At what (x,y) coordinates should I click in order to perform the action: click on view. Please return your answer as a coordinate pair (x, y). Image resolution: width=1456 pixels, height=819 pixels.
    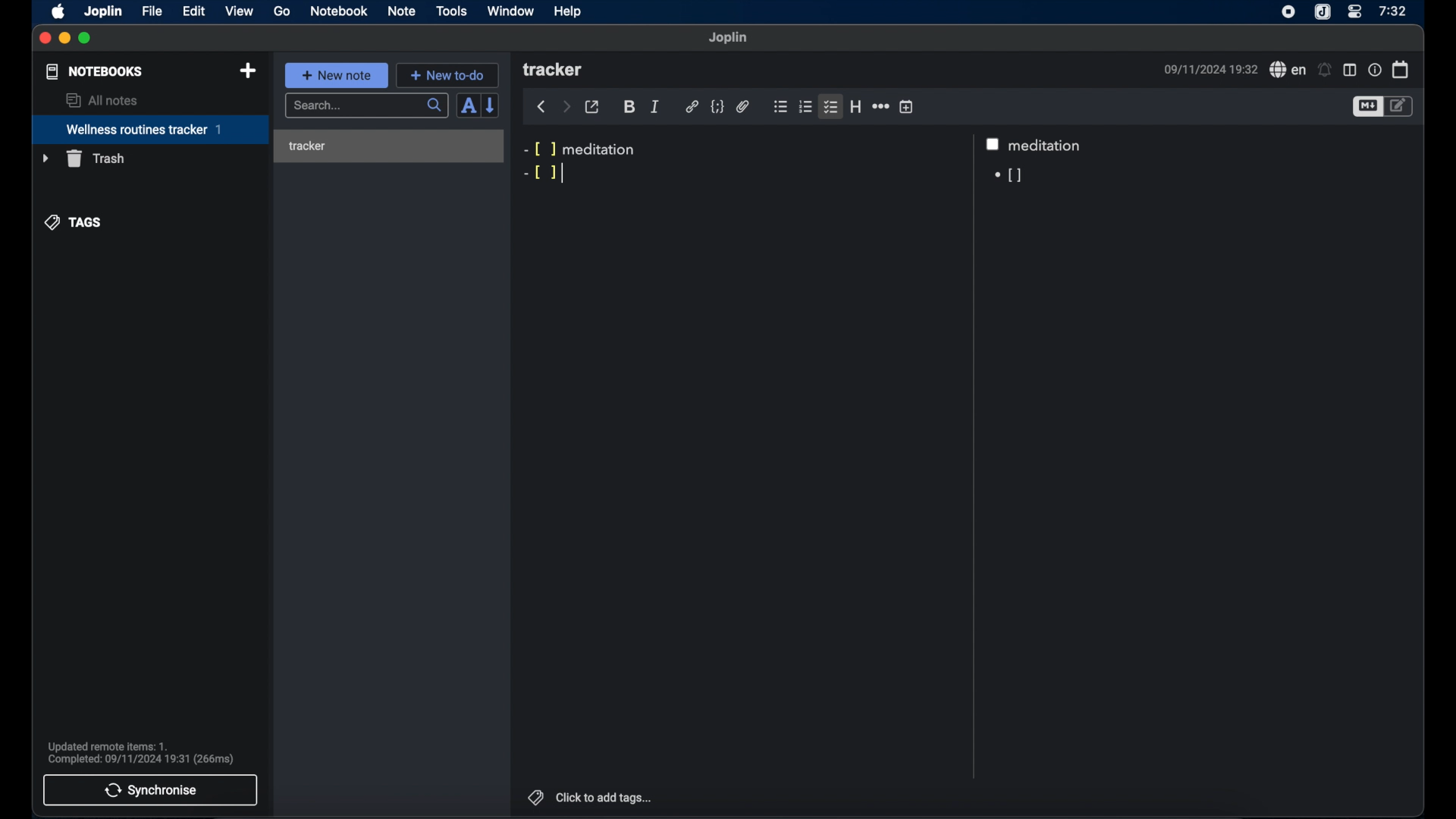
    Looking at the image, I should click on (239, 11).